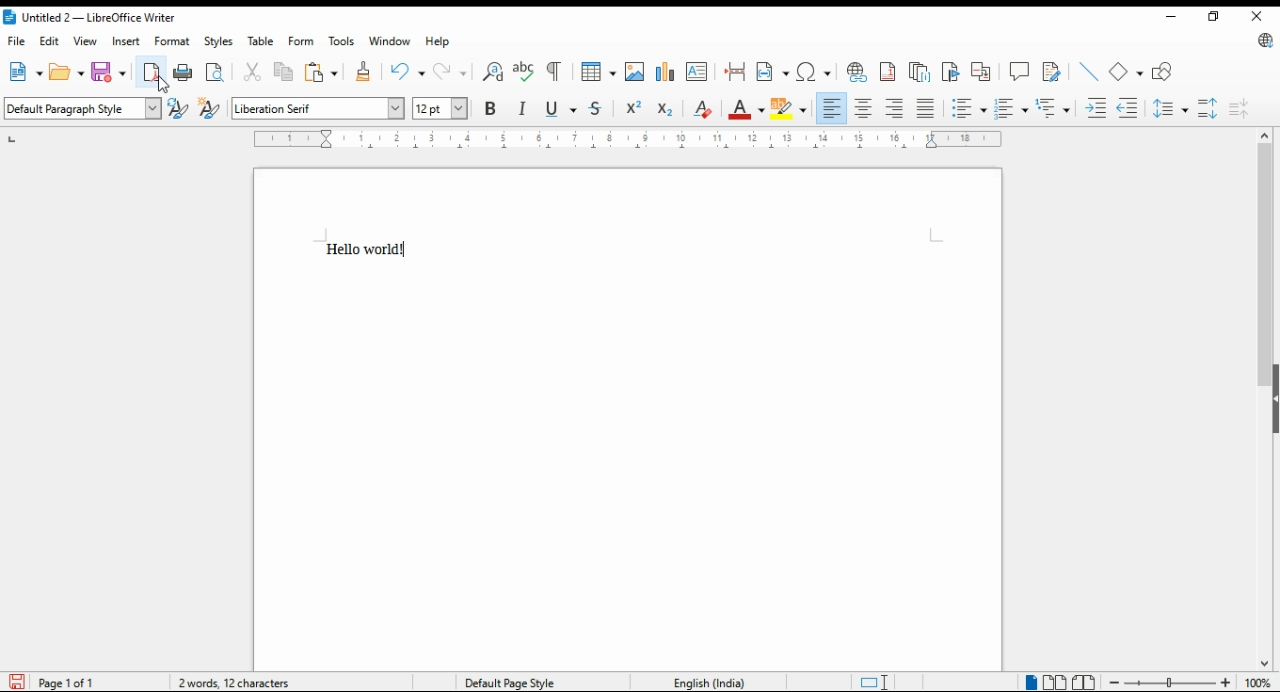 This screenshot has width=1280, height=692. Describe the element at coordinates (237, 682) in the screenshot. I see `document information` at that location.